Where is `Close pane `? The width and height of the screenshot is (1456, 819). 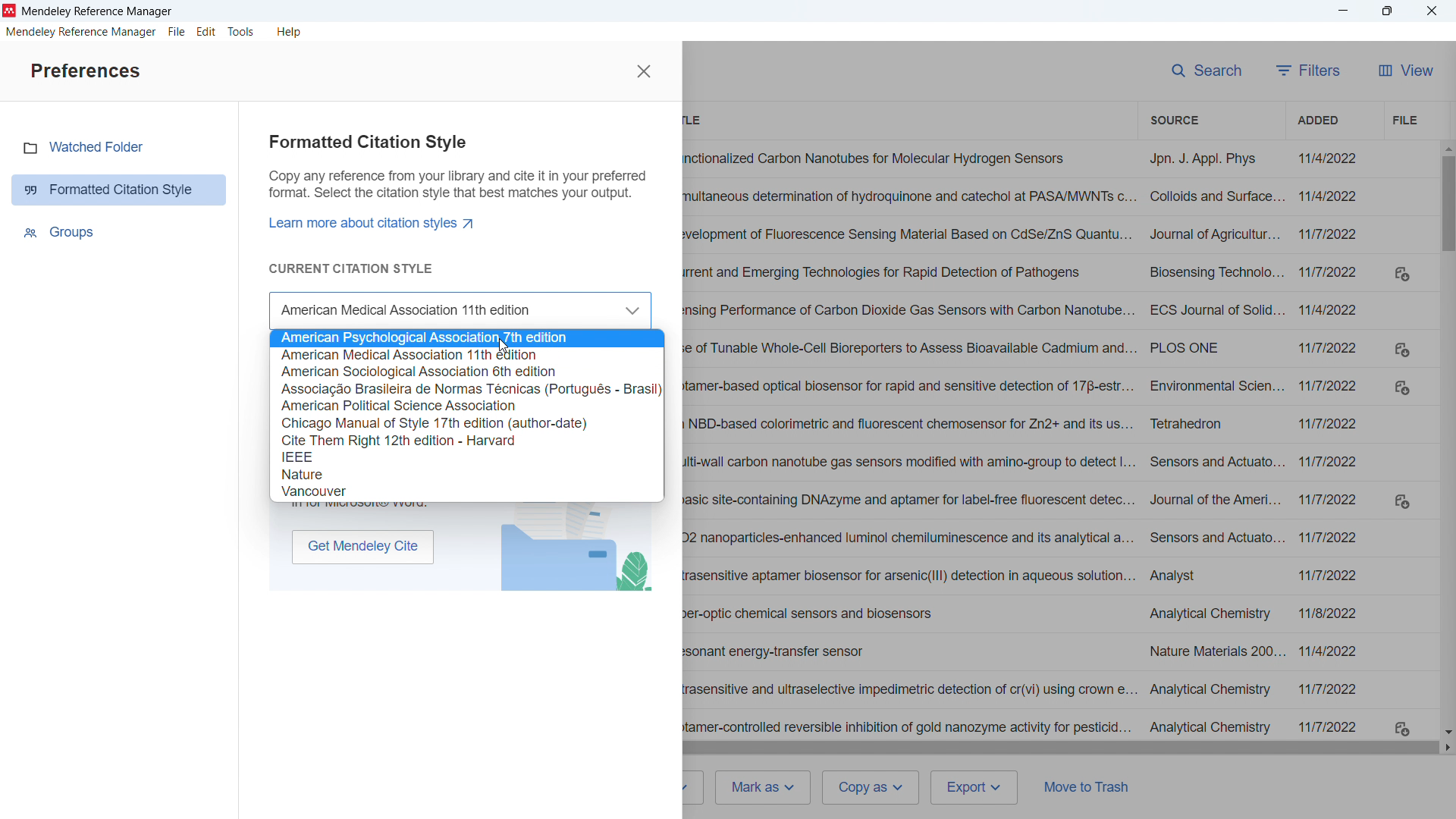
Close pane  is located at coordinates (643, 71).